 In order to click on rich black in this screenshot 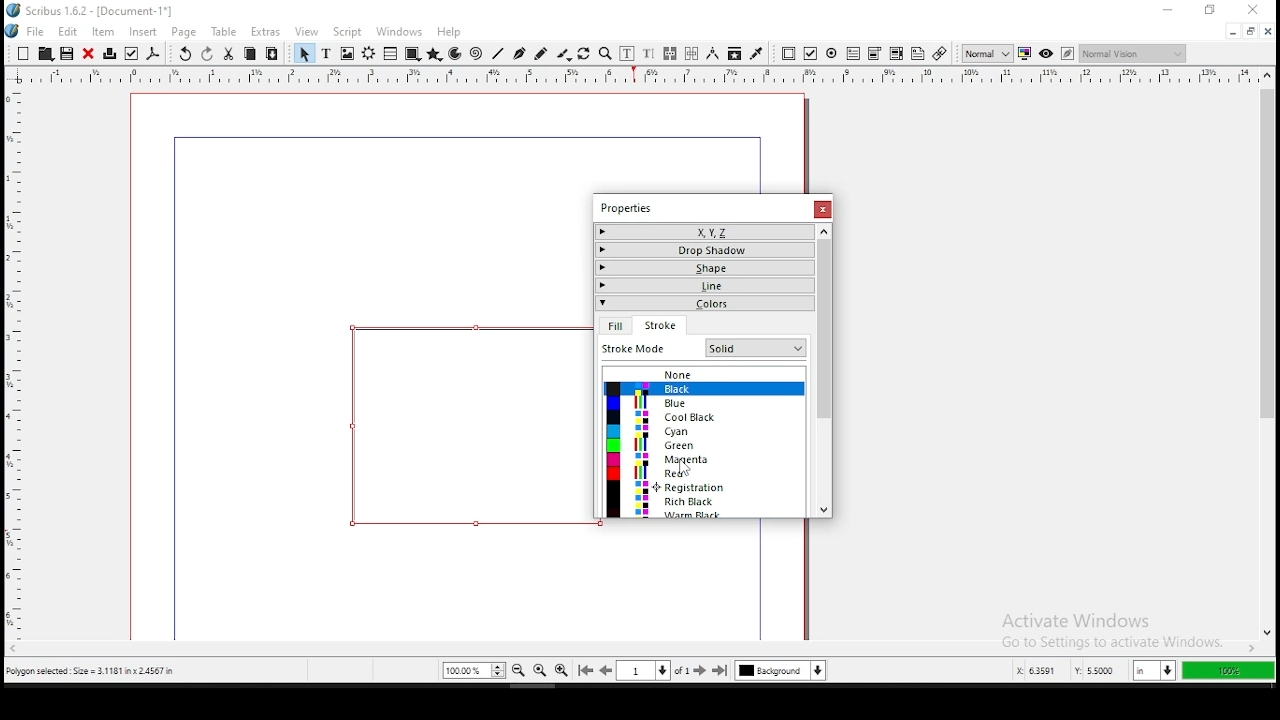, I will do `click(706, 501)`.